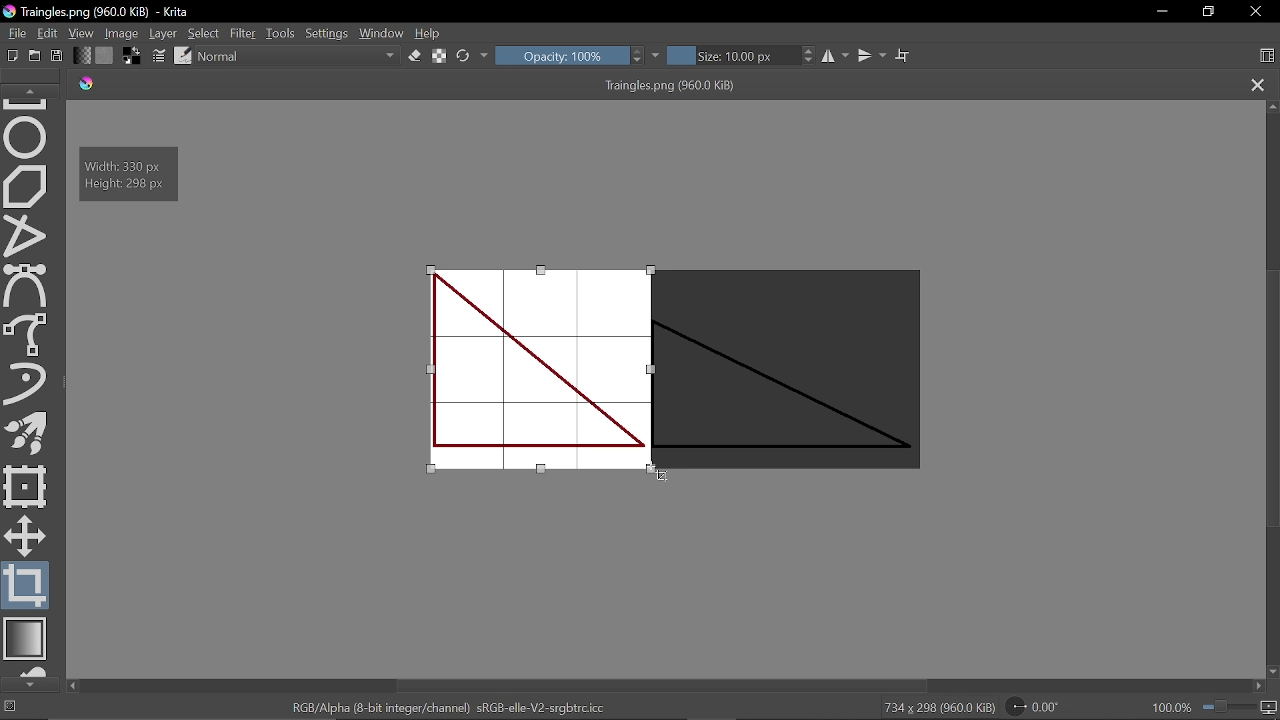 This screenshot has width=1280, height=720. I want to click on Layer, so click(164, 33).